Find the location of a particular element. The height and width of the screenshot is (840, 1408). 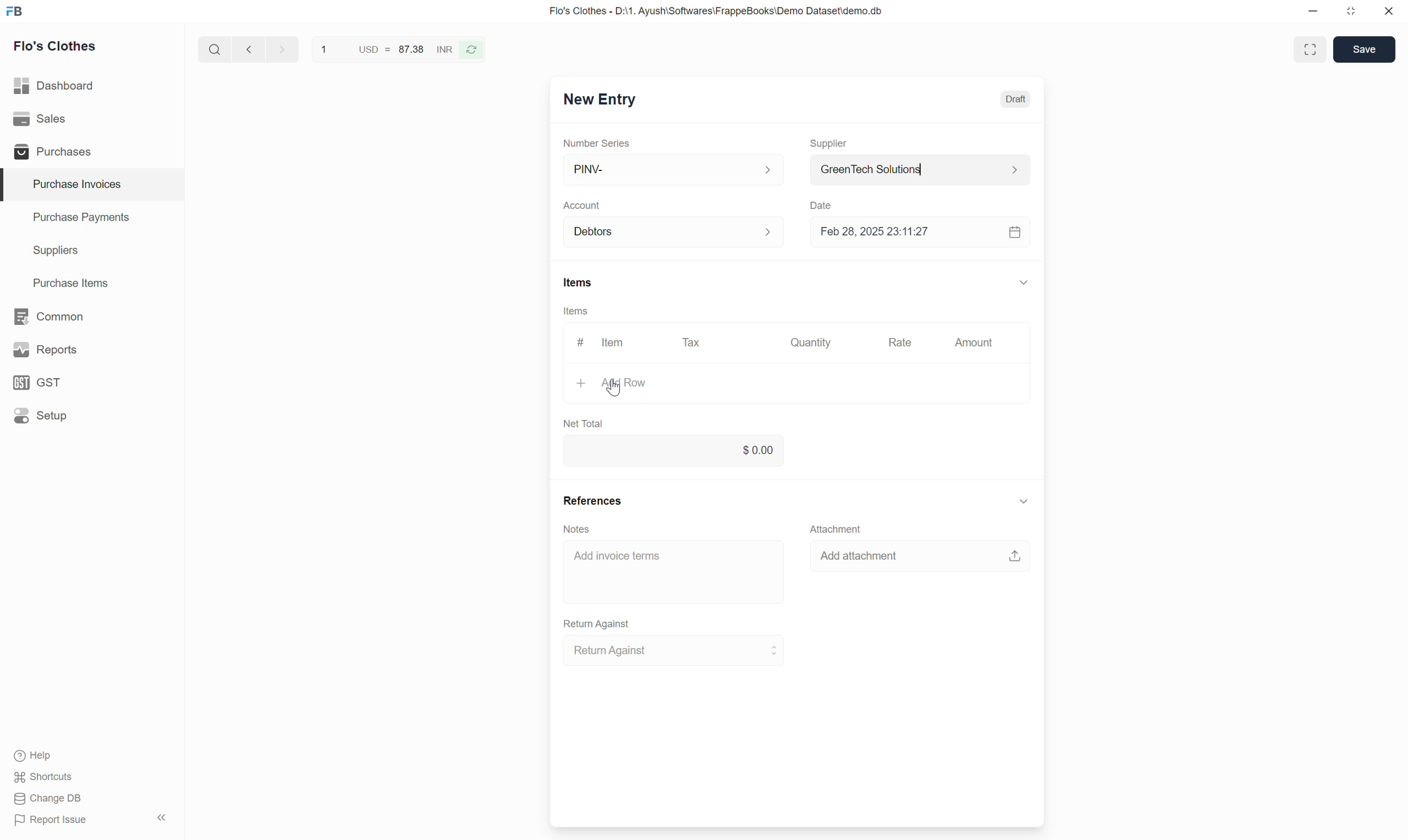

1 USD = 87.38 INR is located at coordinates (386, 49).